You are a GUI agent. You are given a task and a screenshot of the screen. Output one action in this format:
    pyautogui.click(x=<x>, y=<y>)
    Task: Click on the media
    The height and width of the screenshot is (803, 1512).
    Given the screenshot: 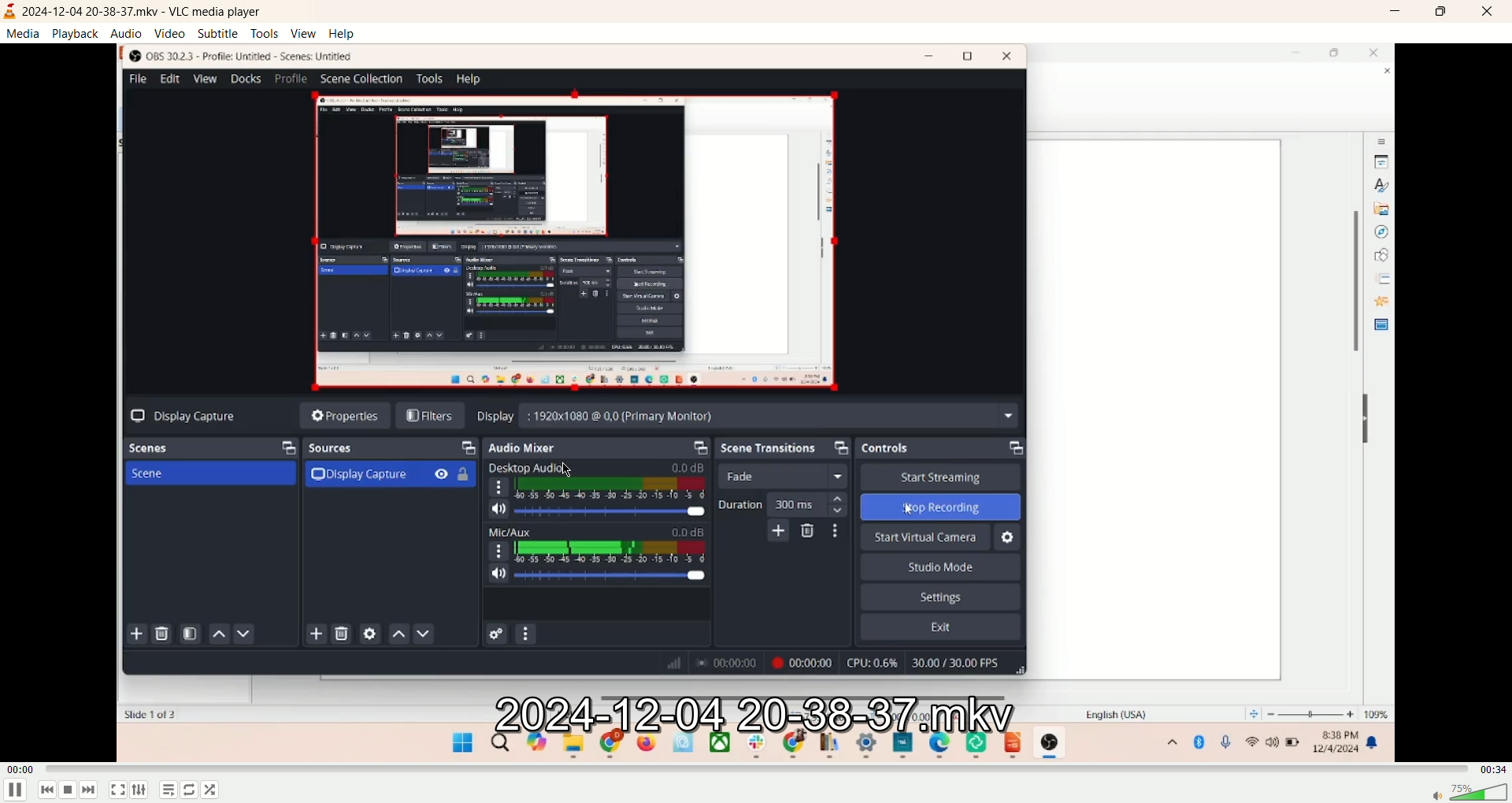 What is the action you would take?
    pyautogui.click(x=25, y=34)
    